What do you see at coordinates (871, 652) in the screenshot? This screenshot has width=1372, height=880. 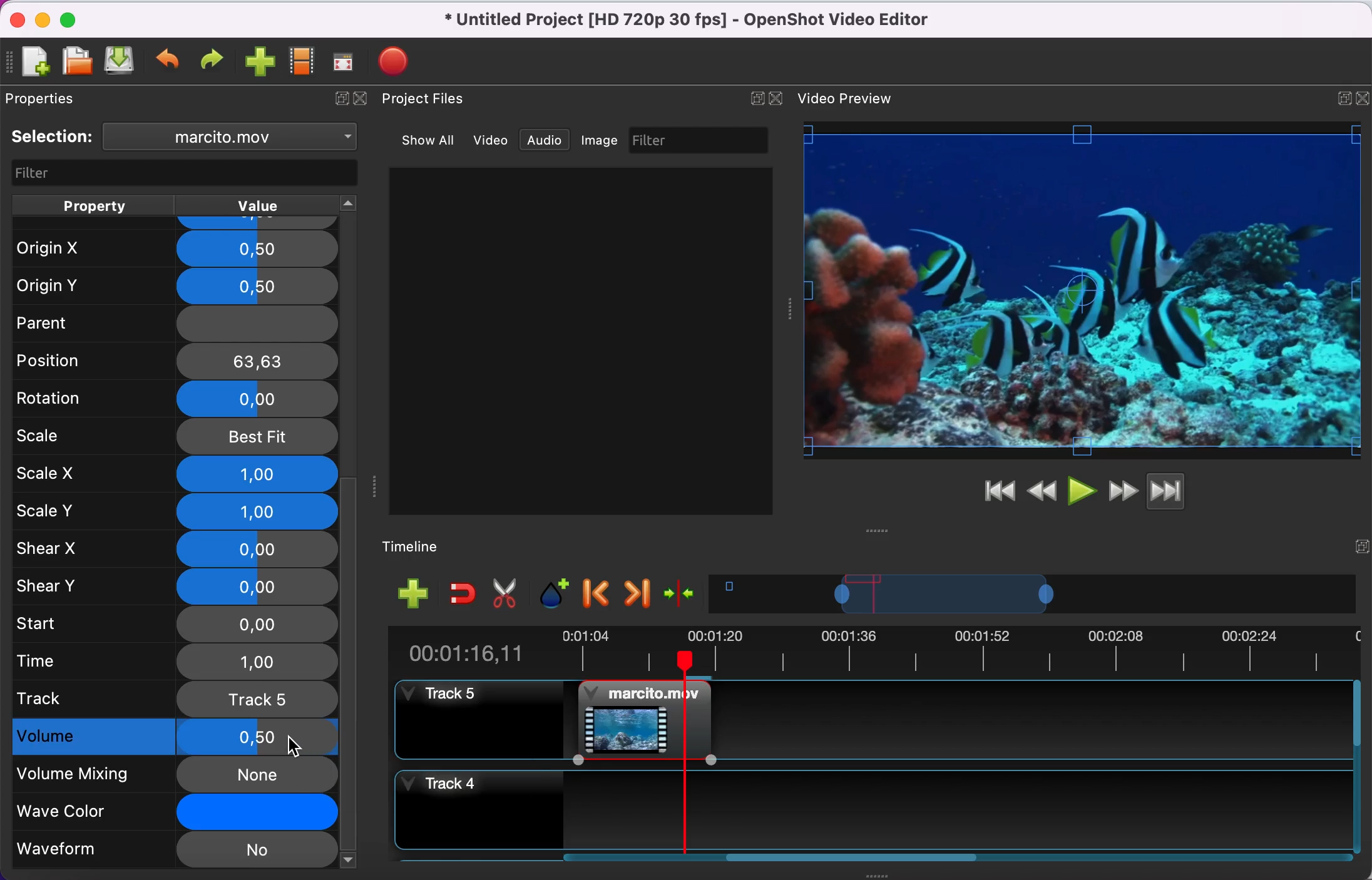 I see `time duration` at bounding box center [871, 652].